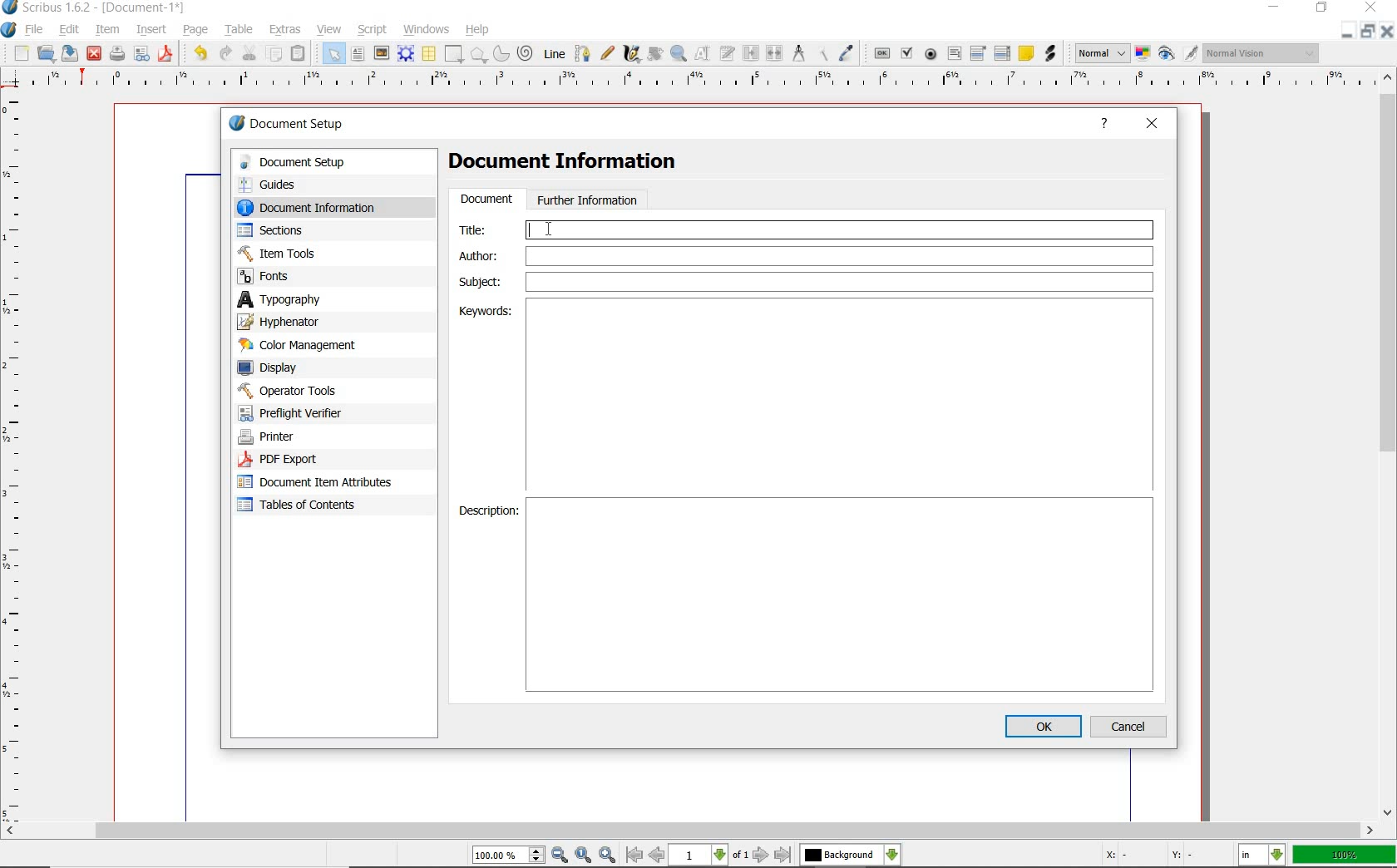  What do you see at coordinates (70, 29) in the screenshot?
I see `edit` at bounding box center [70, 29].